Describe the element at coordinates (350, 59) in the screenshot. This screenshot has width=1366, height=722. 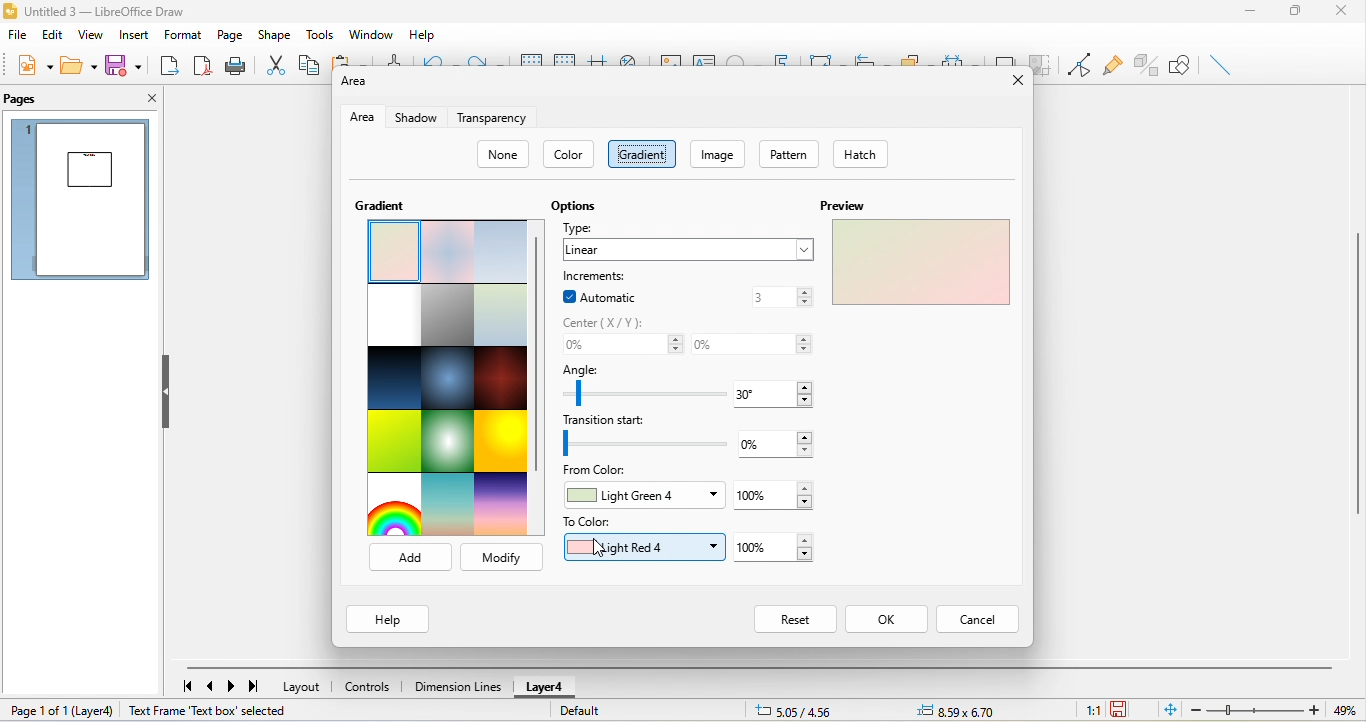
I see `paste` at that location.